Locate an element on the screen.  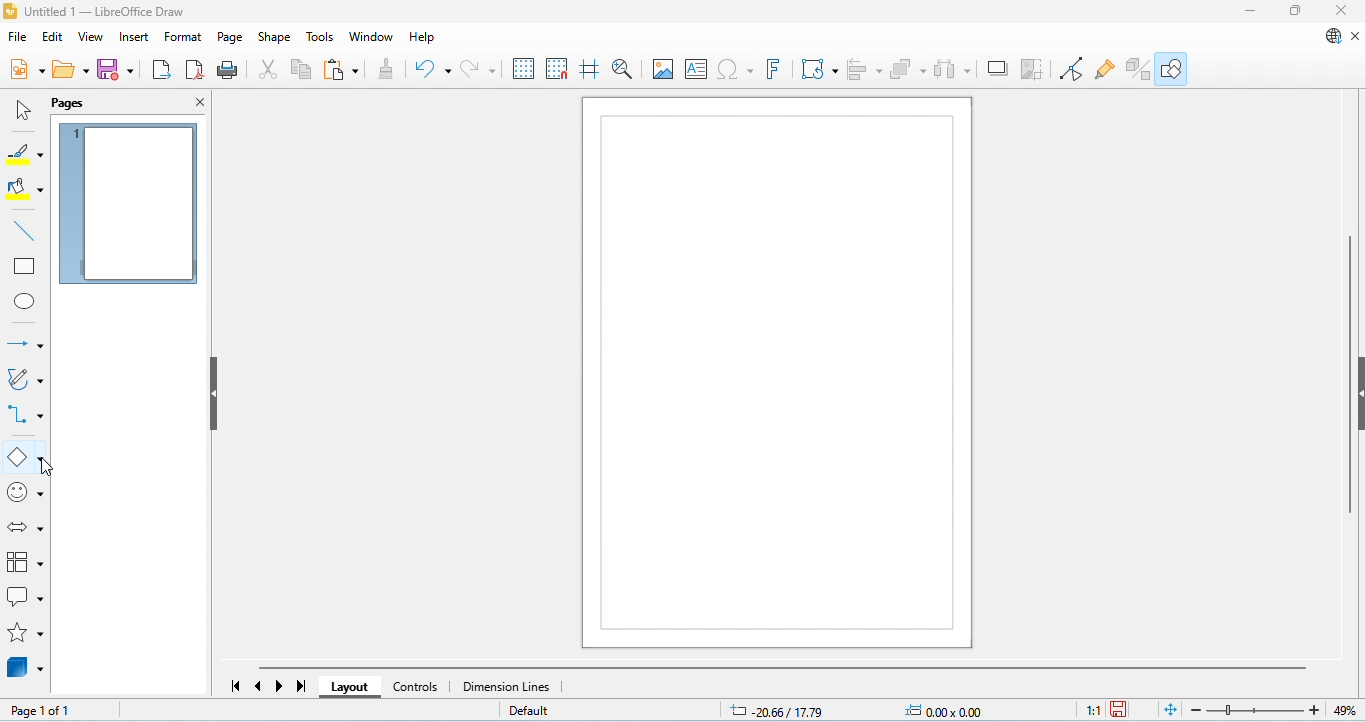
maximize is located at coordinates (1293, 12).